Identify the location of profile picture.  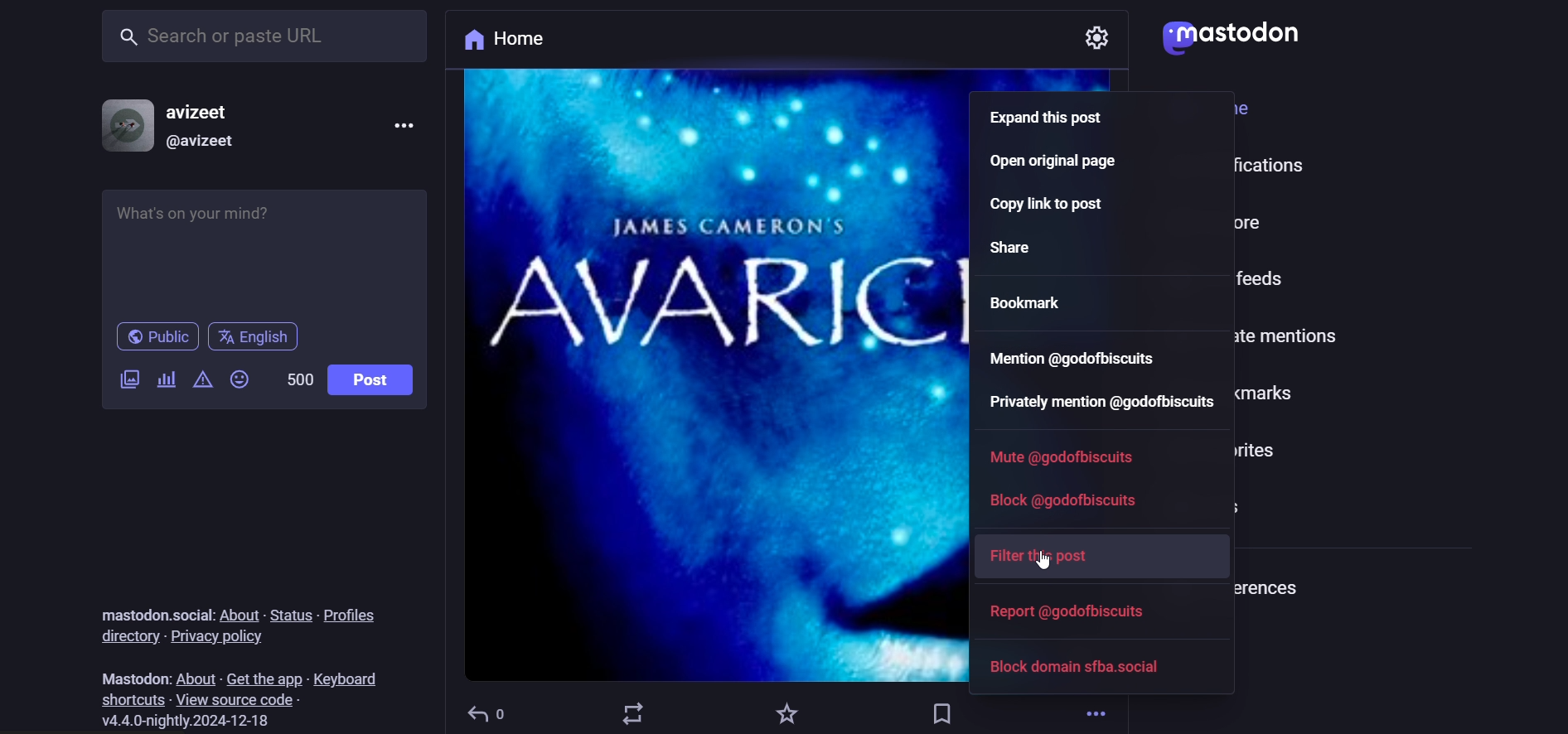
(123, 122).